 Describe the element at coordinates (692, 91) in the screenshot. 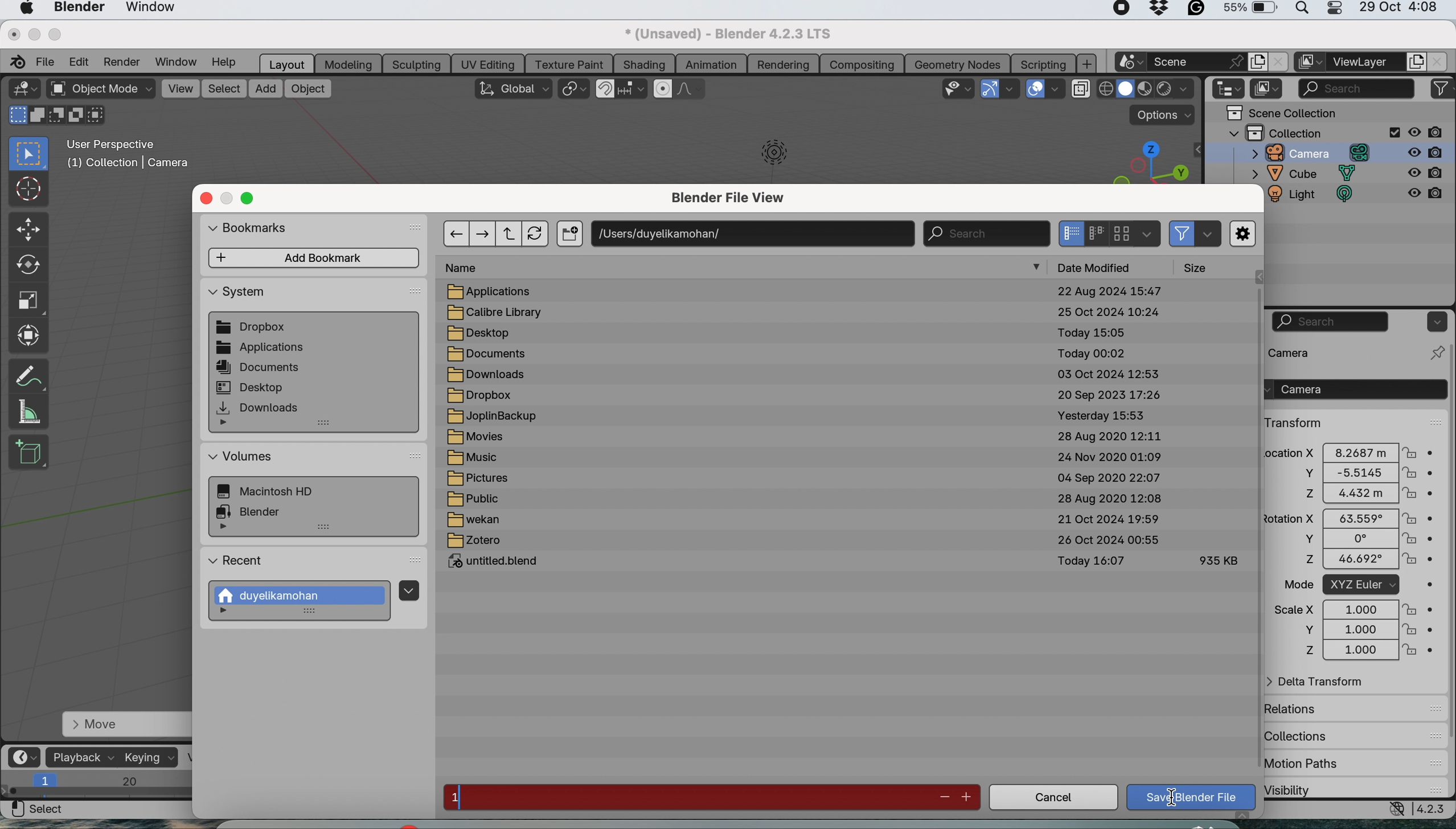

I see `proportional editing falloff` at that location.